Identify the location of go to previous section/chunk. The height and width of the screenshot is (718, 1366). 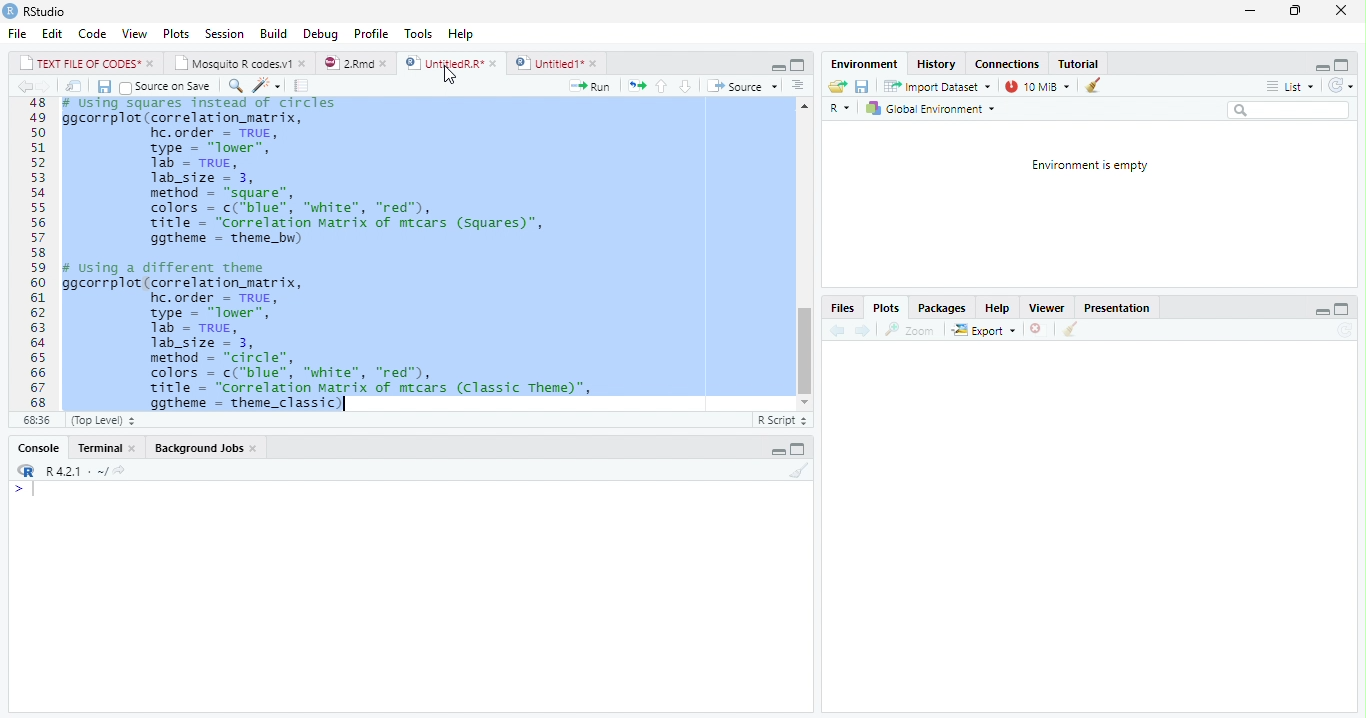
(661, 86).